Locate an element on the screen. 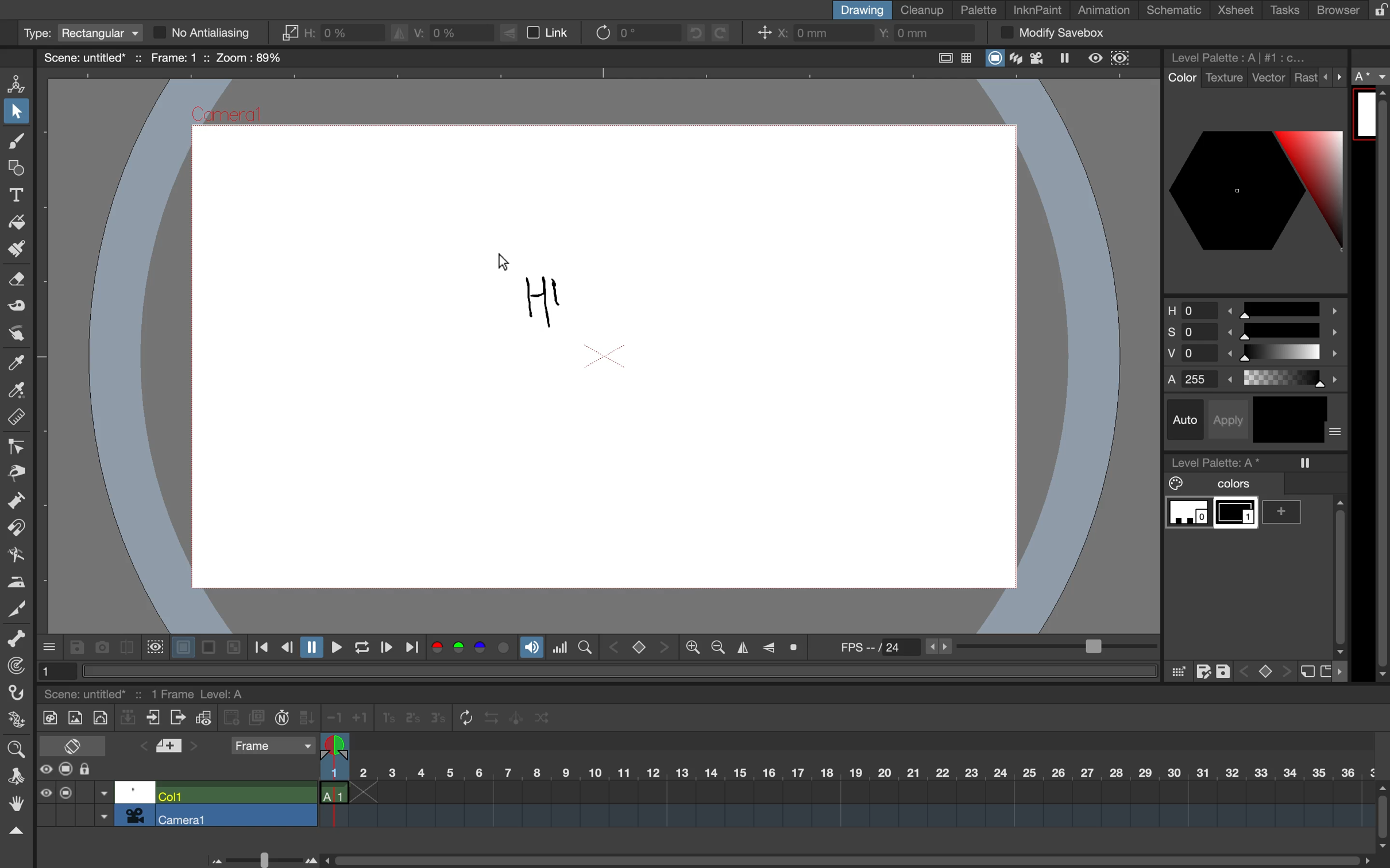 The width and height of the screenshot is (1390, 868). rotate tool is located at coordinates (12, 774).